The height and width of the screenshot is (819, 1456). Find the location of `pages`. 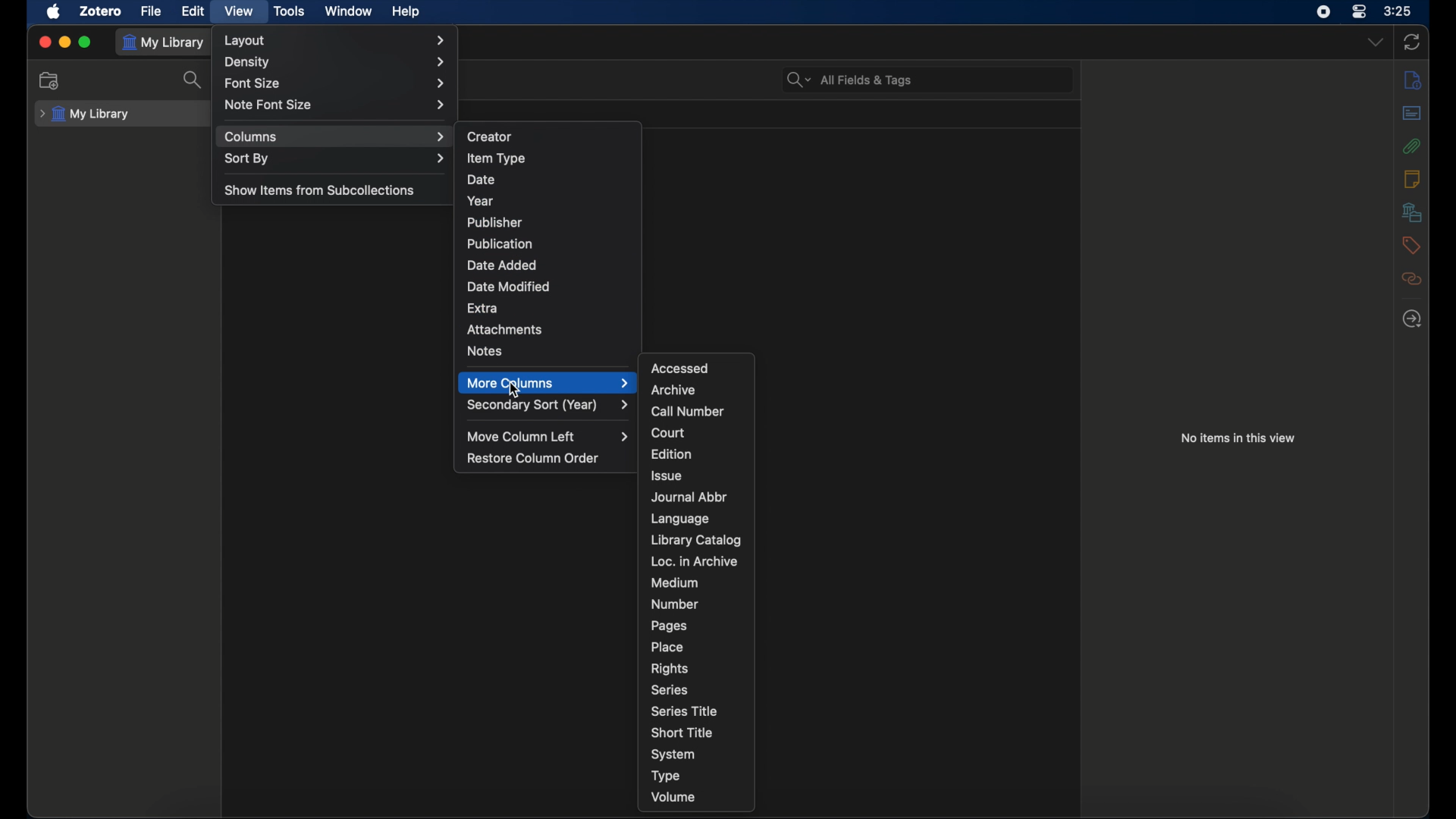

pages is located at coordinates (670, 626).